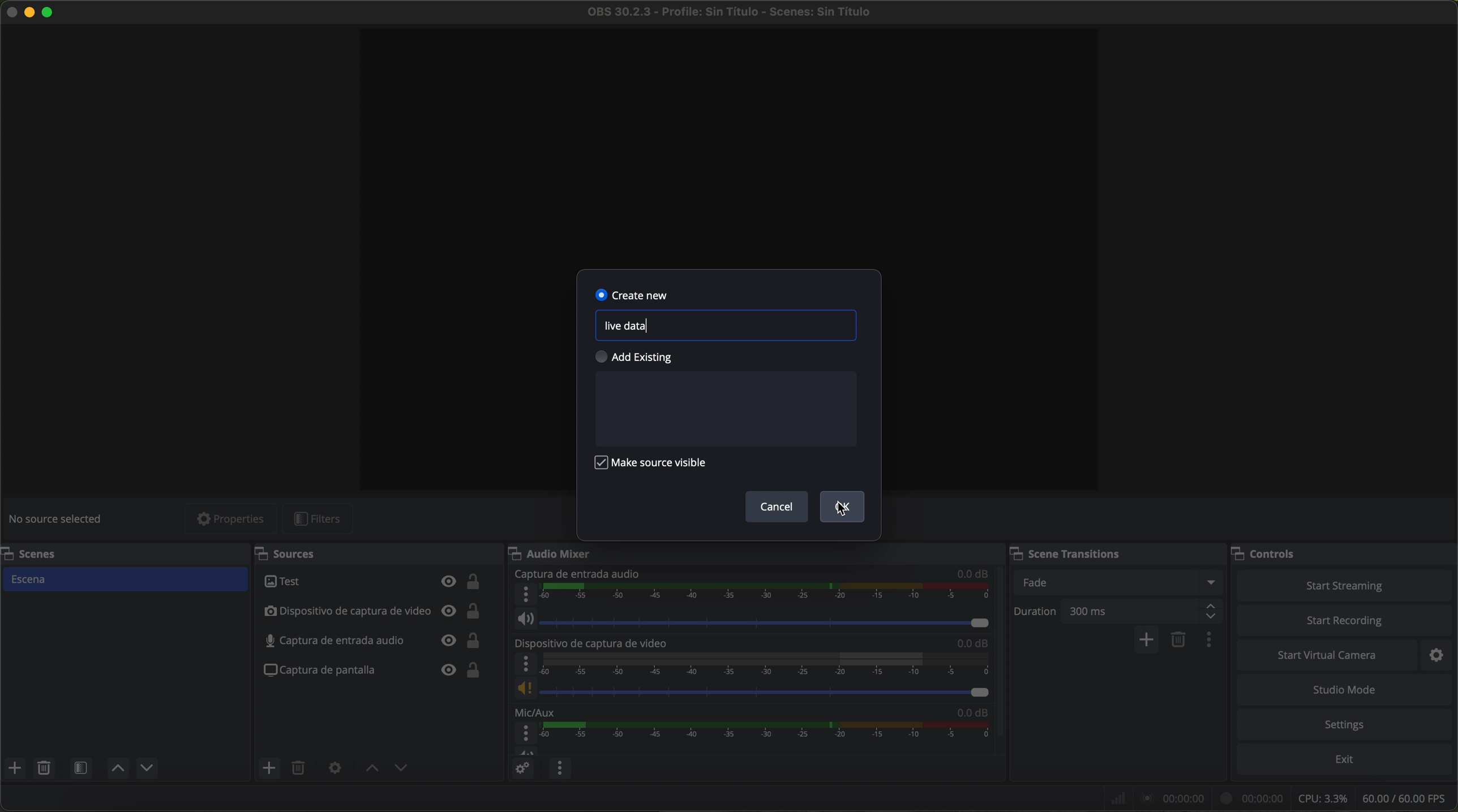  What do you see at coordinates (127, 579) in the screenshot?
I see `scene` at bounding box center [127, 579].